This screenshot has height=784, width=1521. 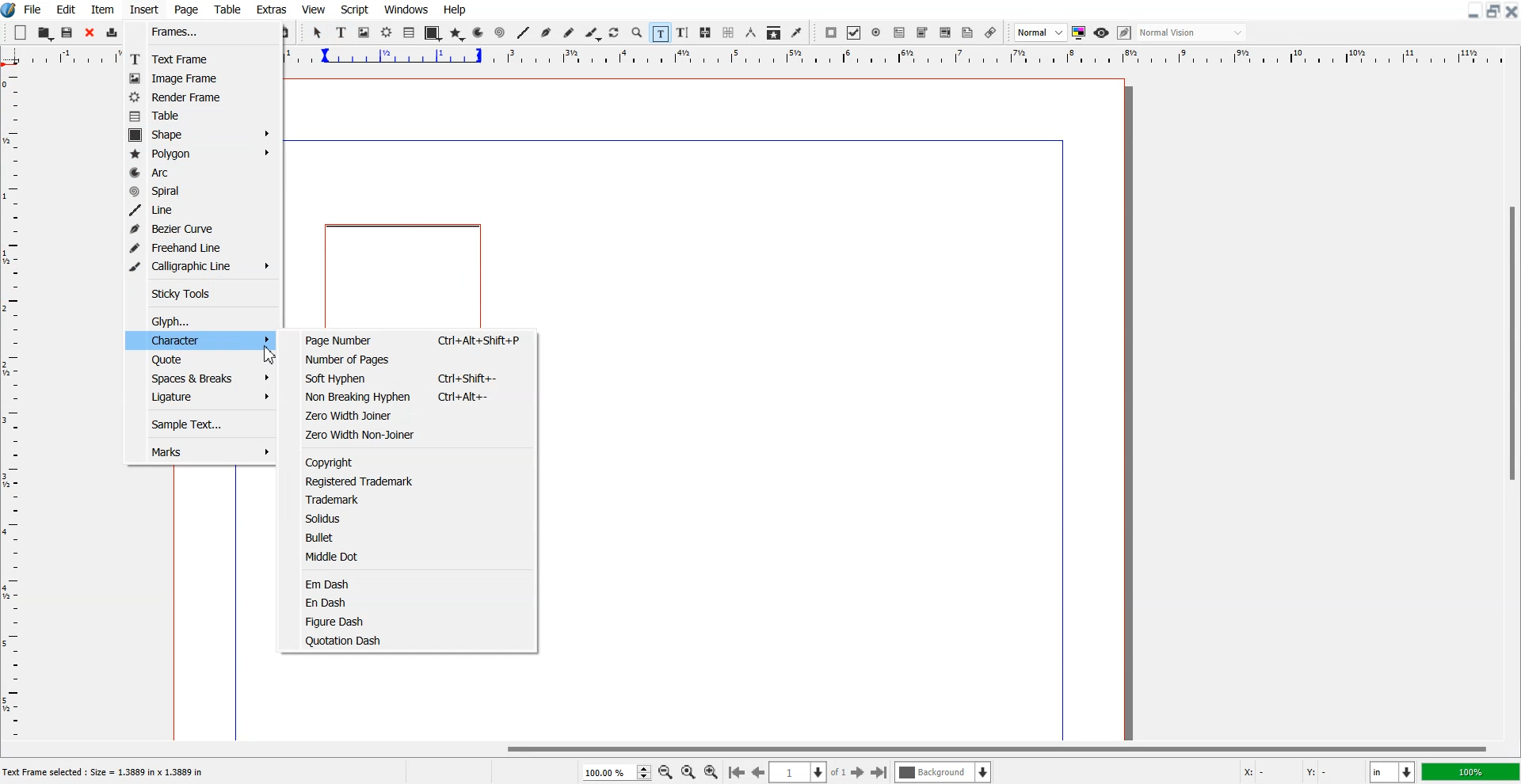 I want to click on Sticky Tools, so click(x=201, y=293).